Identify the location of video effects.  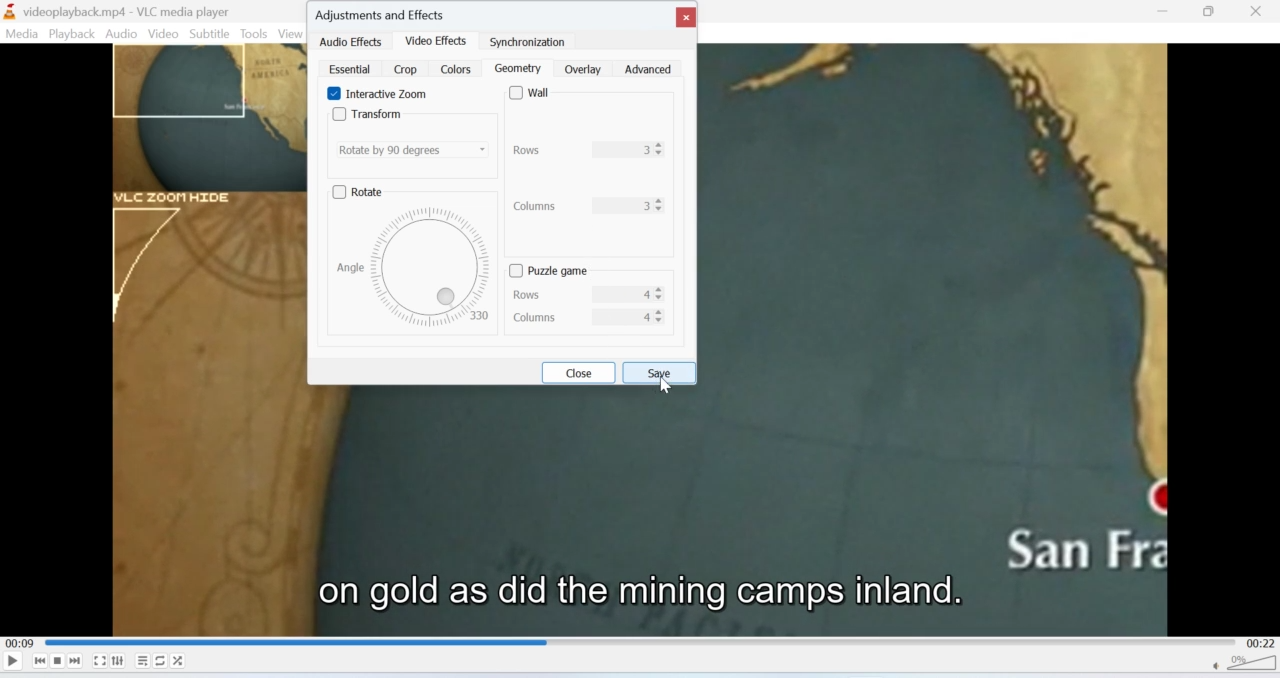
(438, 42).